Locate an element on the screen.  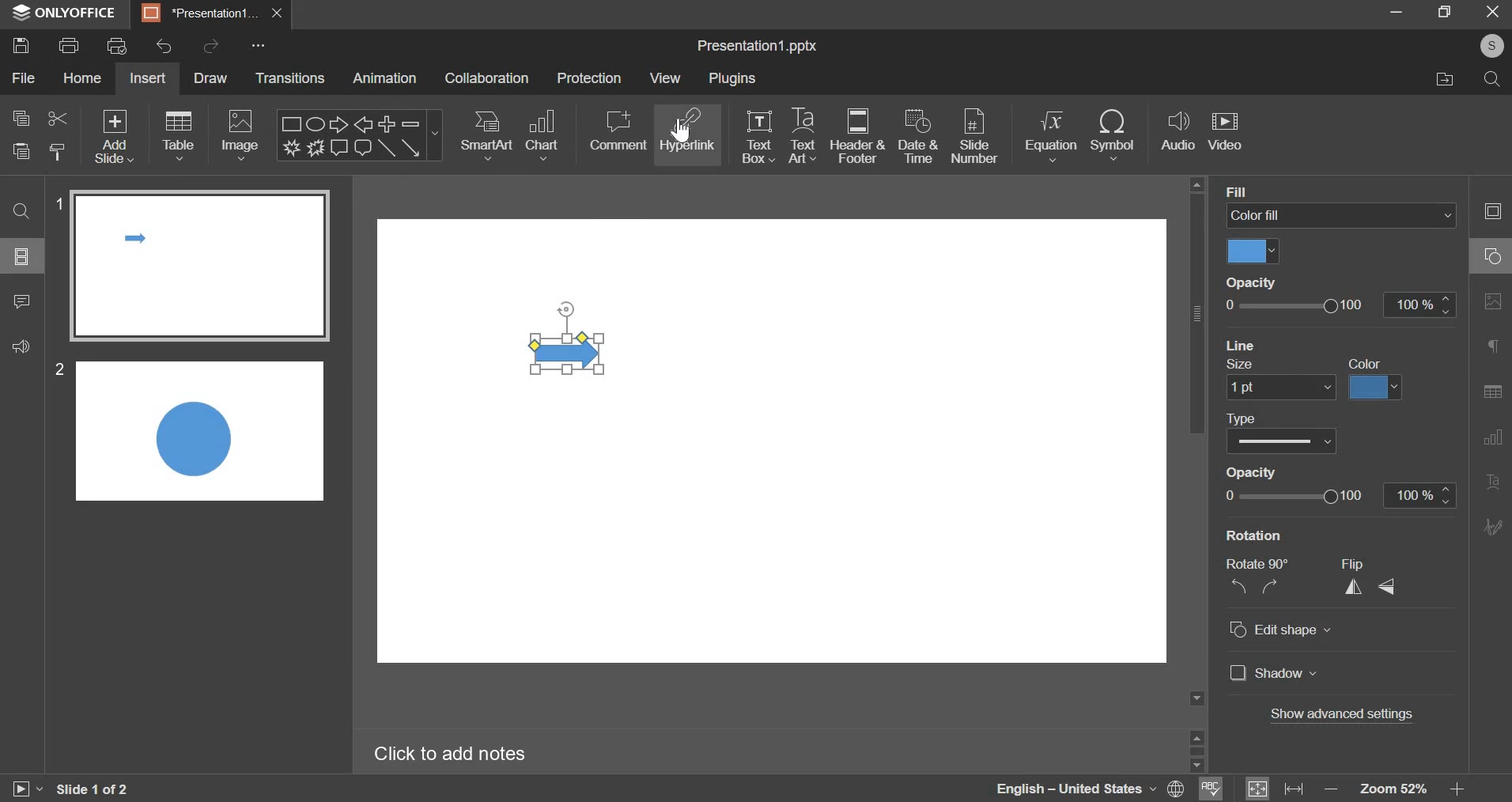
slide number is located at coordinates (974, 137).